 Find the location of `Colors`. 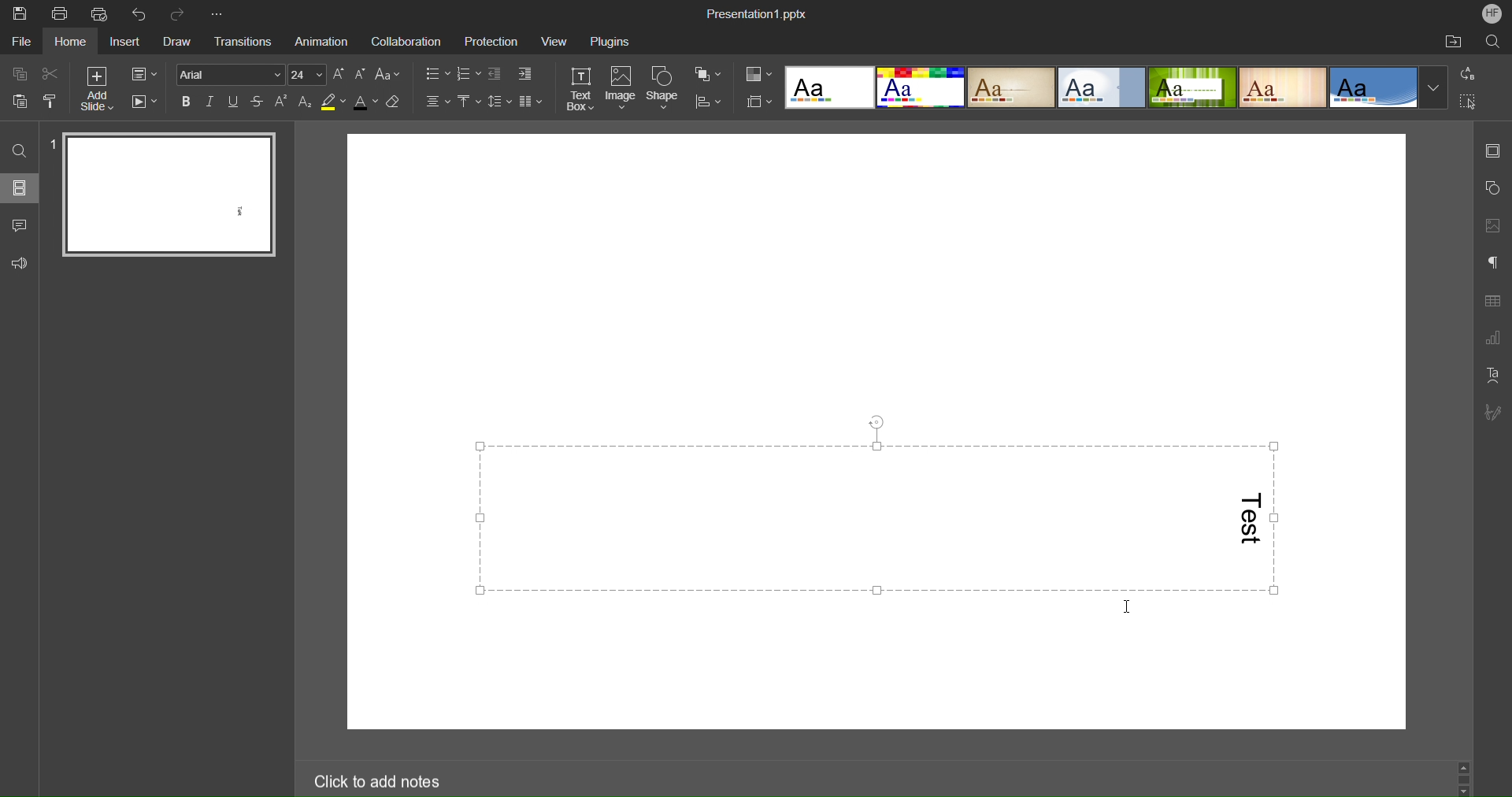

Colors is located at coordinates (759, 75).